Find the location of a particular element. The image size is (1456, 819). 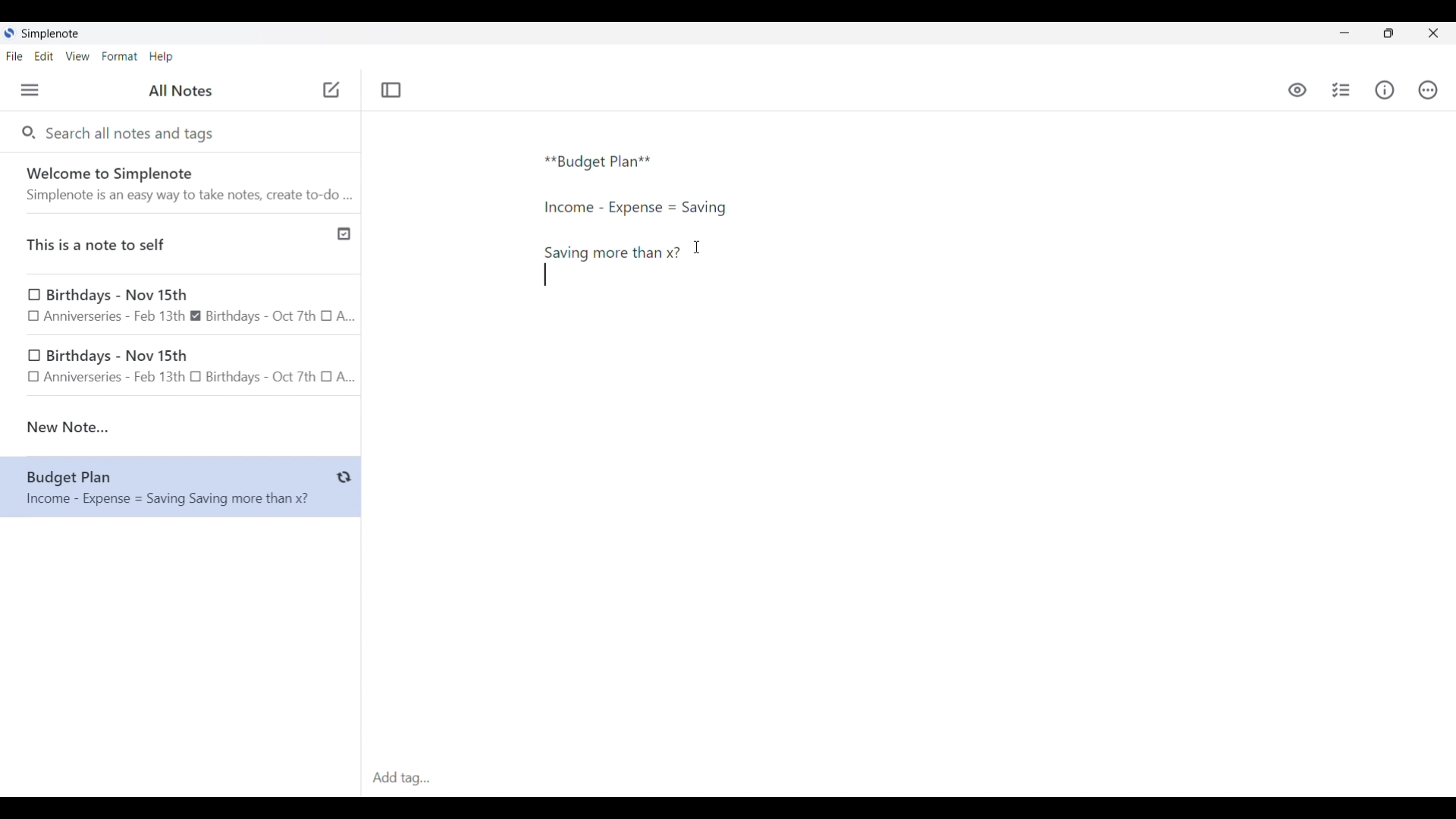

Note text changed is located at coordinates (180, 488).